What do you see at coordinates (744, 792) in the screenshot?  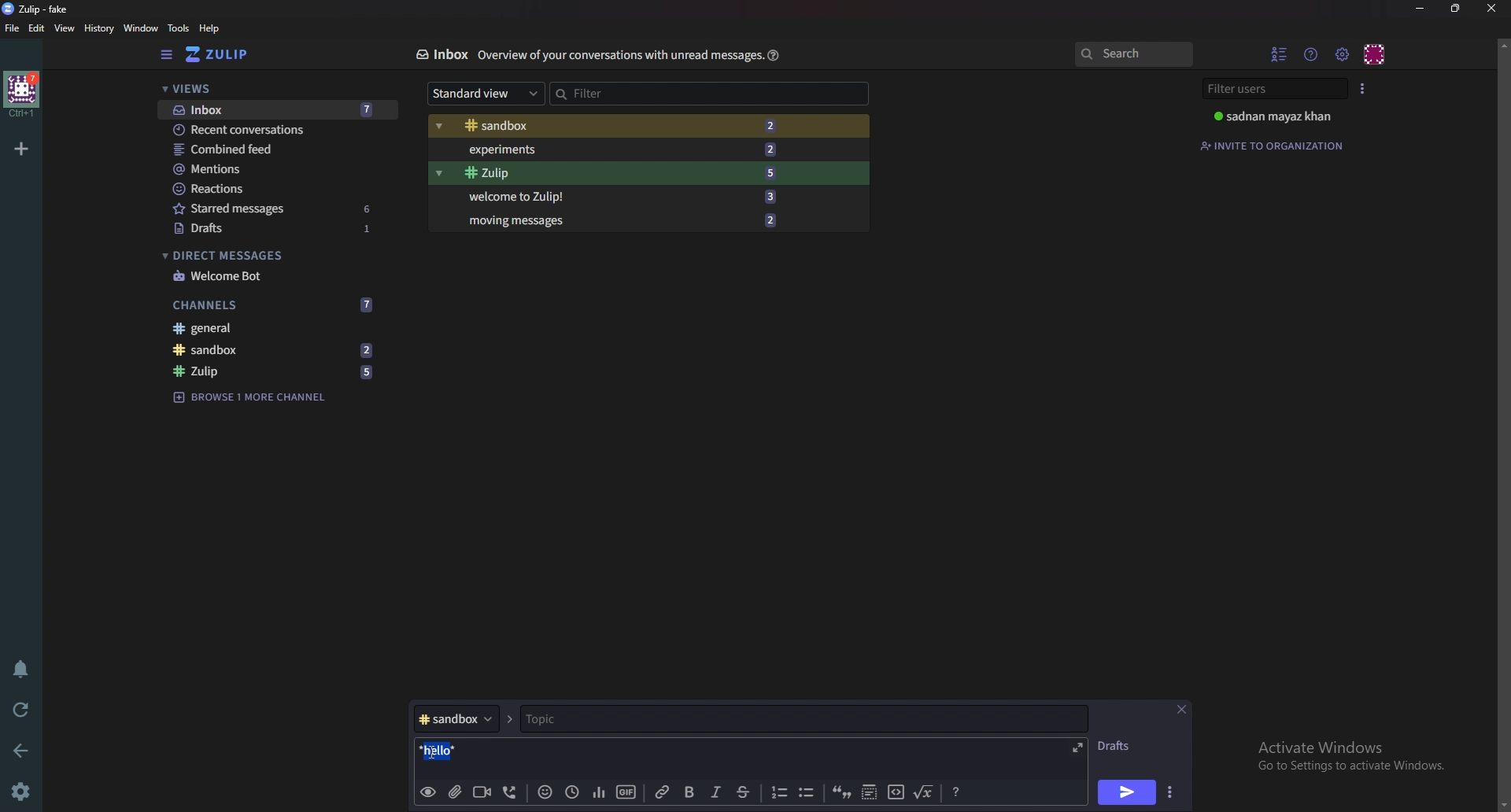 I see `Strike through` at bounding box center [744, 792].